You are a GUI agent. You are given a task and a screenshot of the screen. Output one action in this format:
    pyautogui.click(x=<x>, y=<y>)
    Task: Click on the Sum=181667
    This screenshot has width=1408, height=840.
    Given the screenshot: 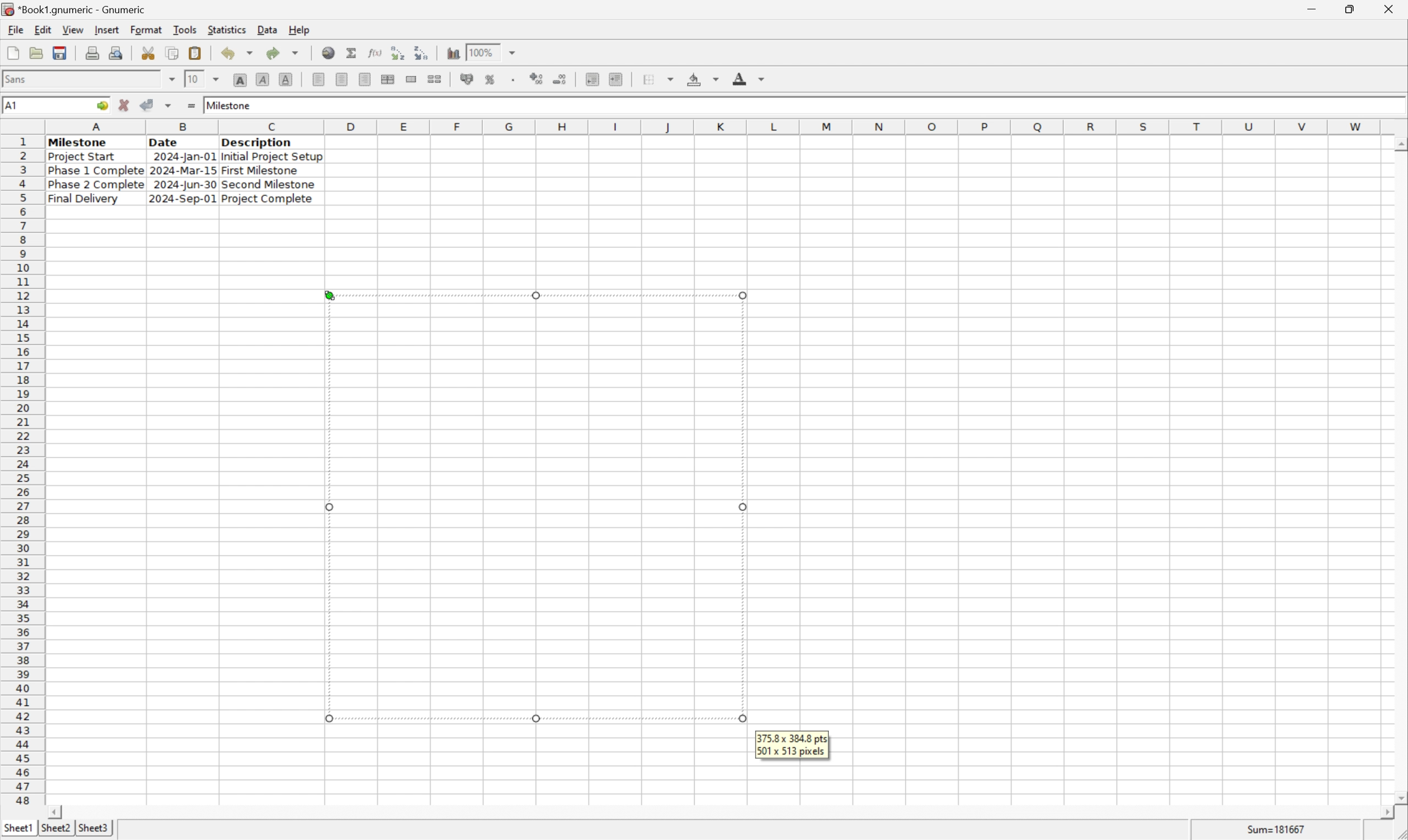 What is the action you would take?
    pyautogui.click(x=1278, y=828)
    